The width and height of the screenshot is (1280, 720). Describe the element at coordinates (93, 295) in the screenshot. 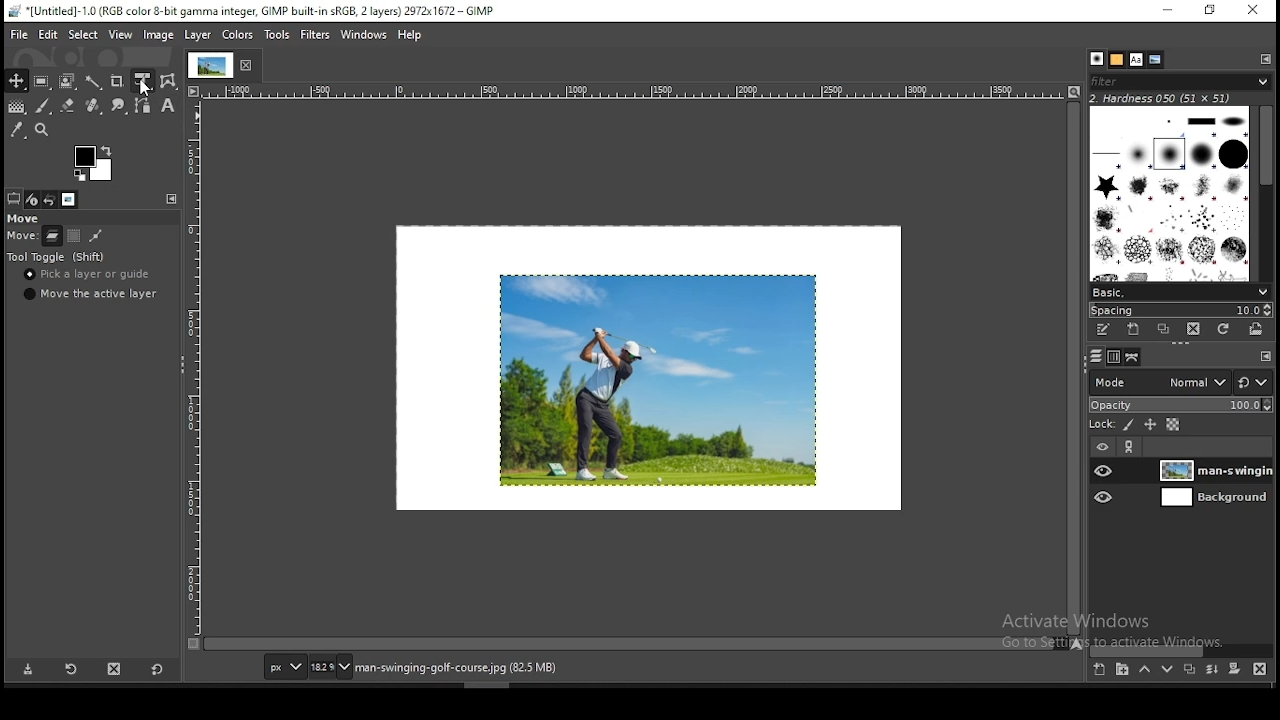

I see `move the active layer` at that location.